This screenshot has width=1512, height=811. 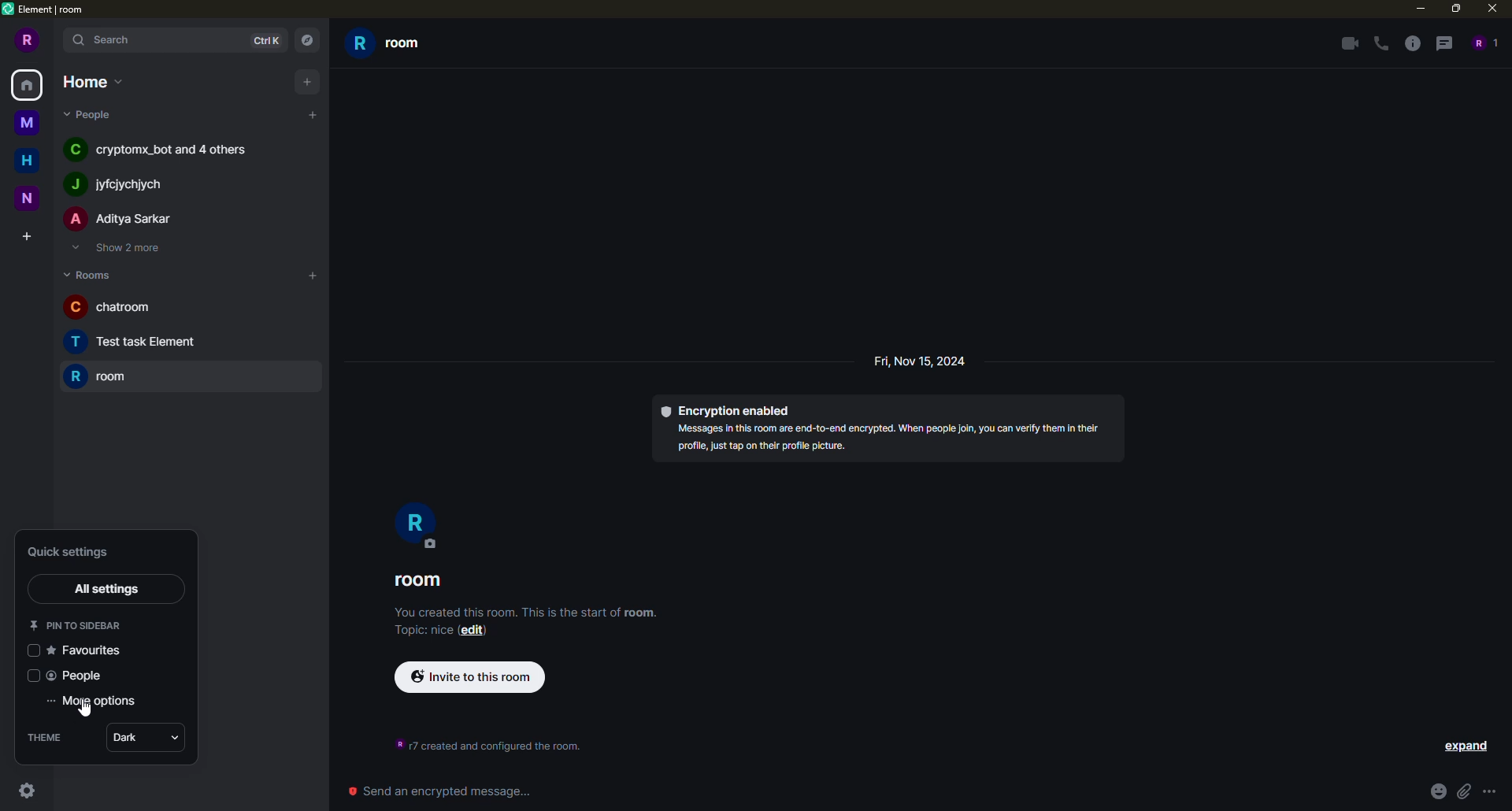 What do you see at coordinates (33, 651) in the screenshot?
I see `select` at bounding box center [33, 651].